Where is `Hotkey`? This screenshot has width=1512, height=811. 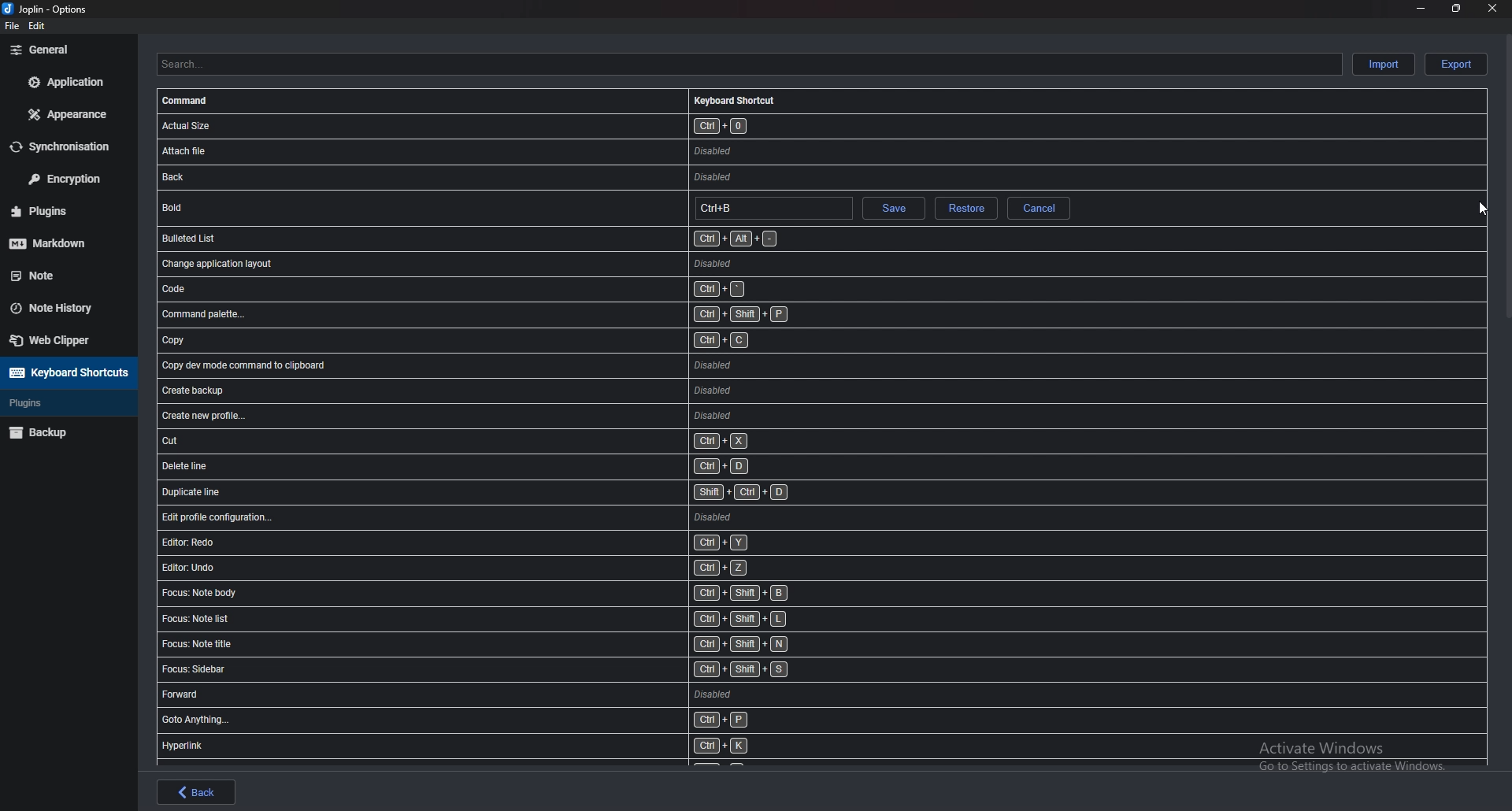
Hotkey is located at coordinates (773, 209).